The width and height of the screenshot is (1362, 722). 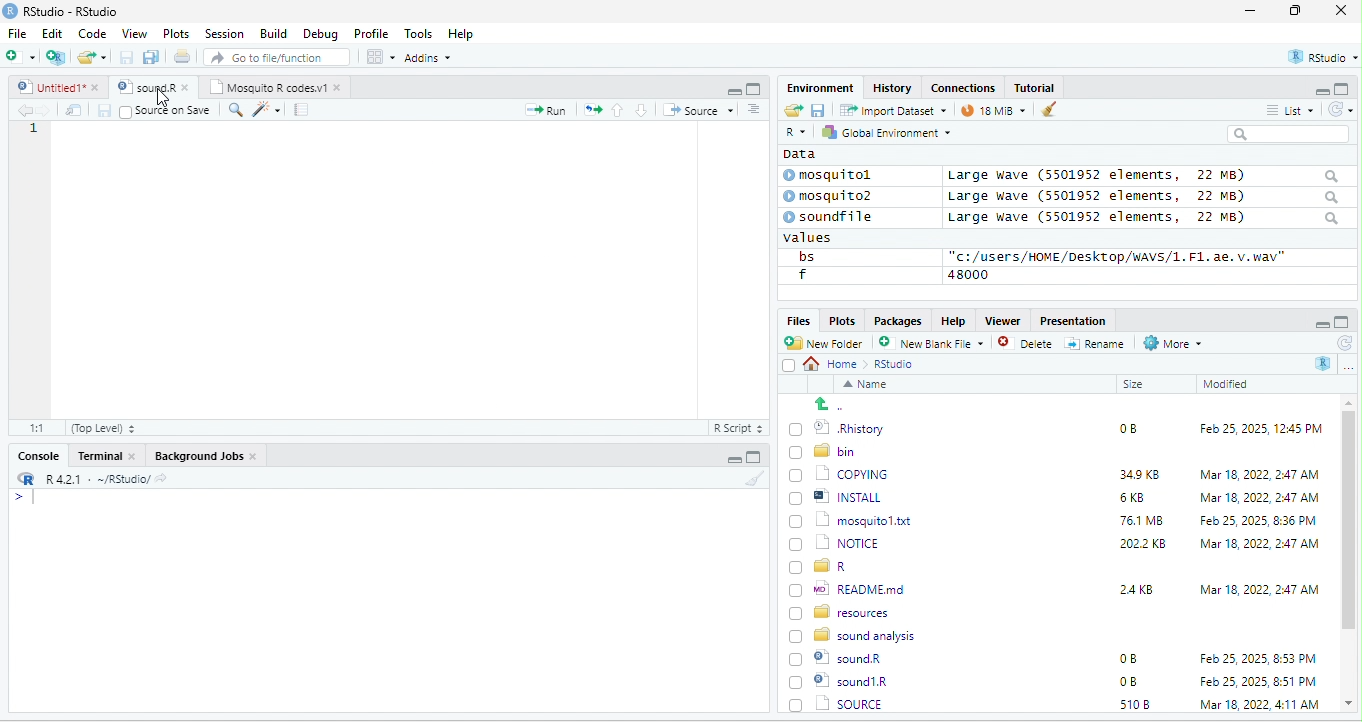 What do you see at coordinates (1121, 426) in the screenshot?
I see `0B` at bounding box center [1121, 426].